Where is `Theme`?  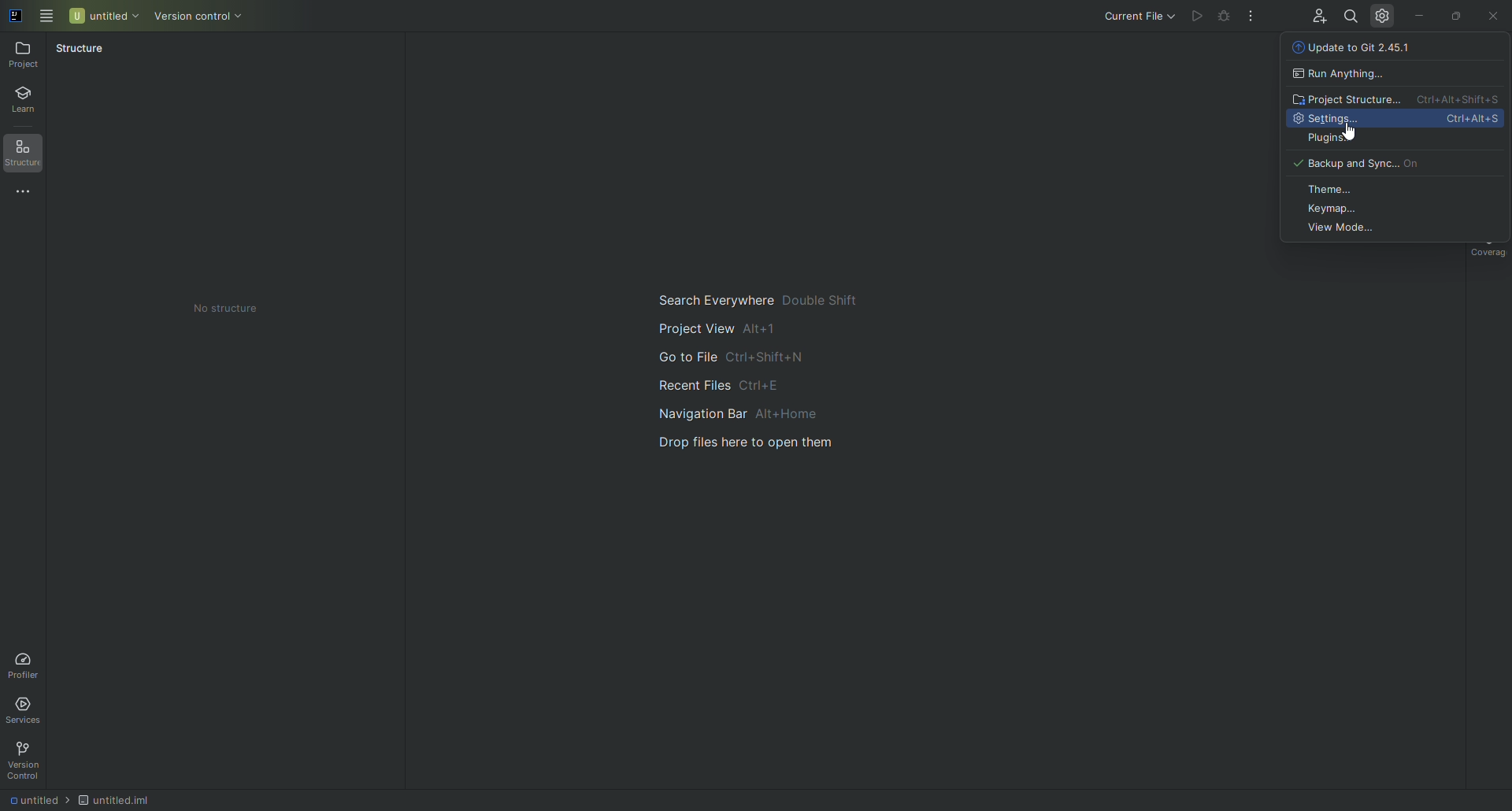 Theme is located at coordinates (1330, 187).